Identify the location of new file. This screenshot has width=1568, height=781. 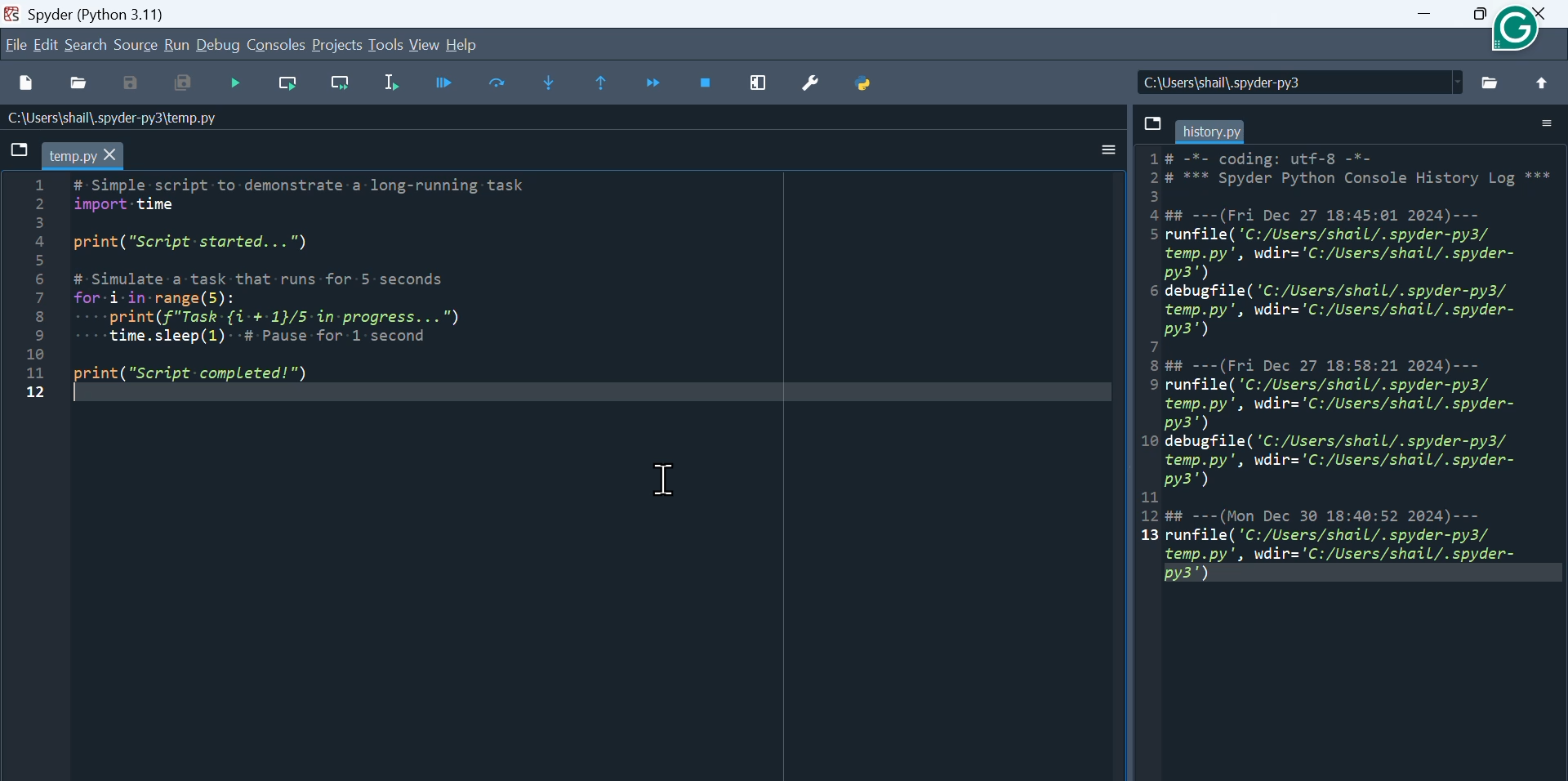
(23, 80).